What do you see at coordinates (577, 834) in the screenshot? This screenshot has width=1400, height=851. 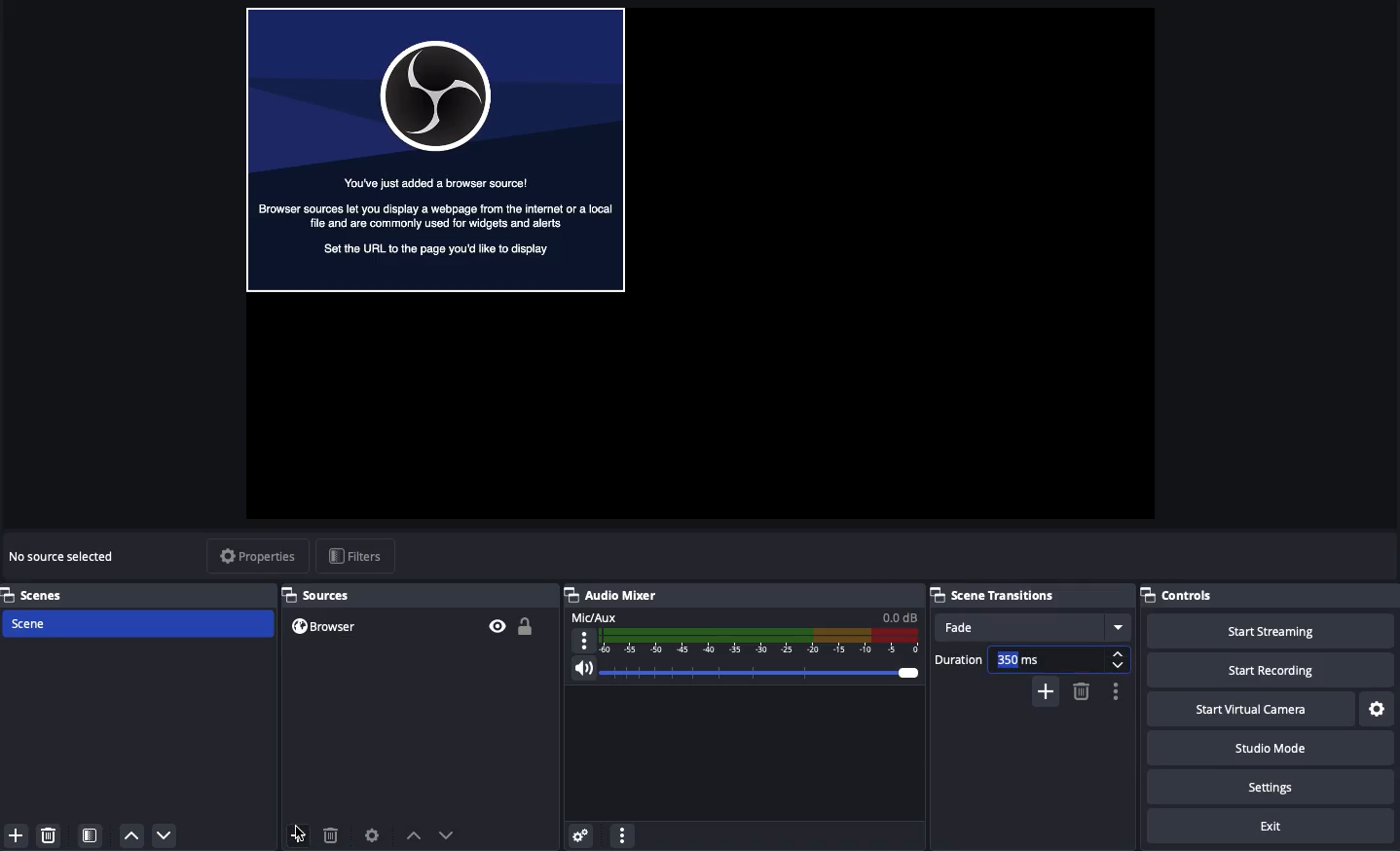 I see `Settings` at bounding box center [577, 834].